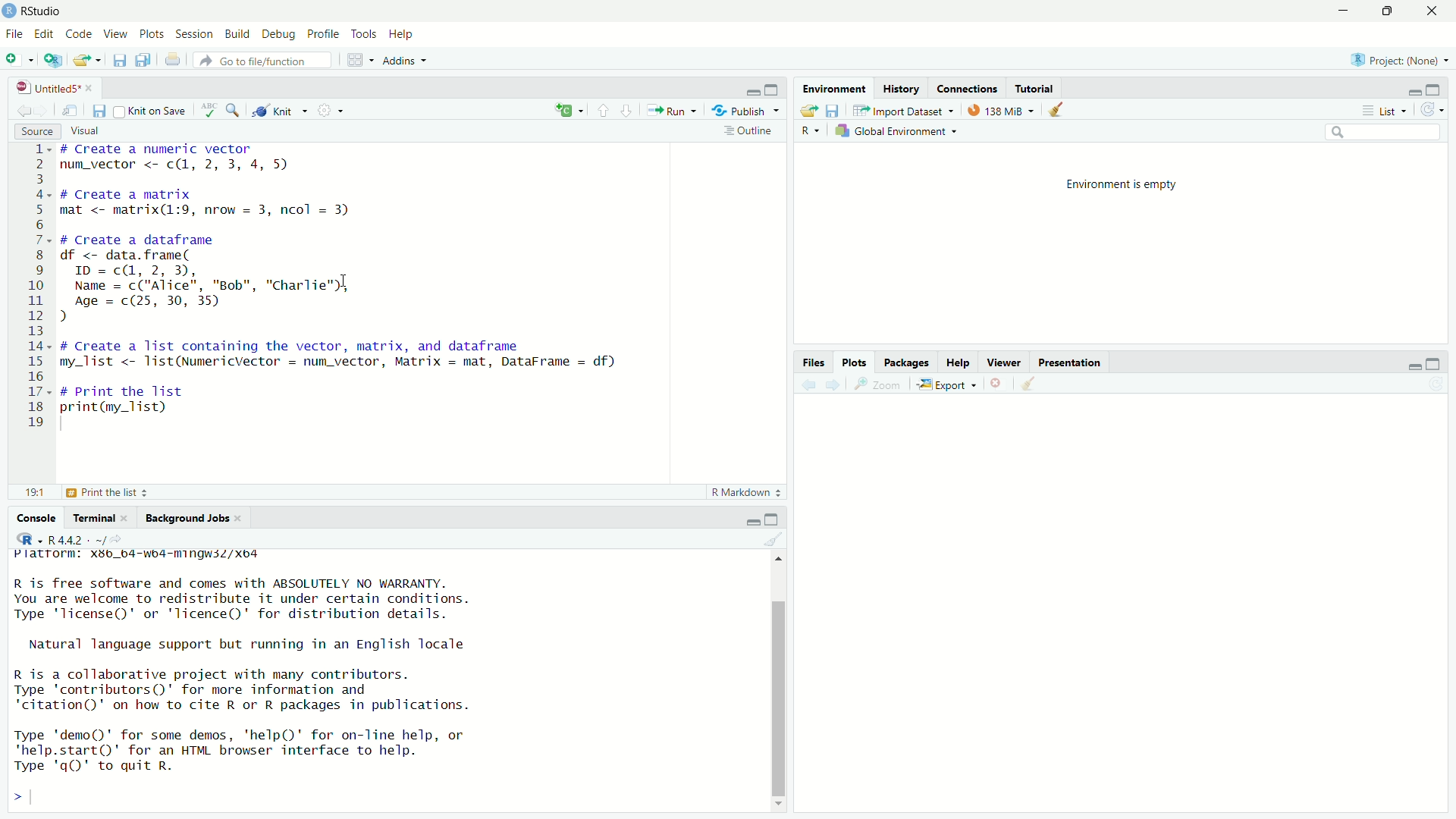 The height and width of the screenshot is (819, 1456). Describe the element at coordinates (240, 33) in the screenshot. I see `Build` at that location.